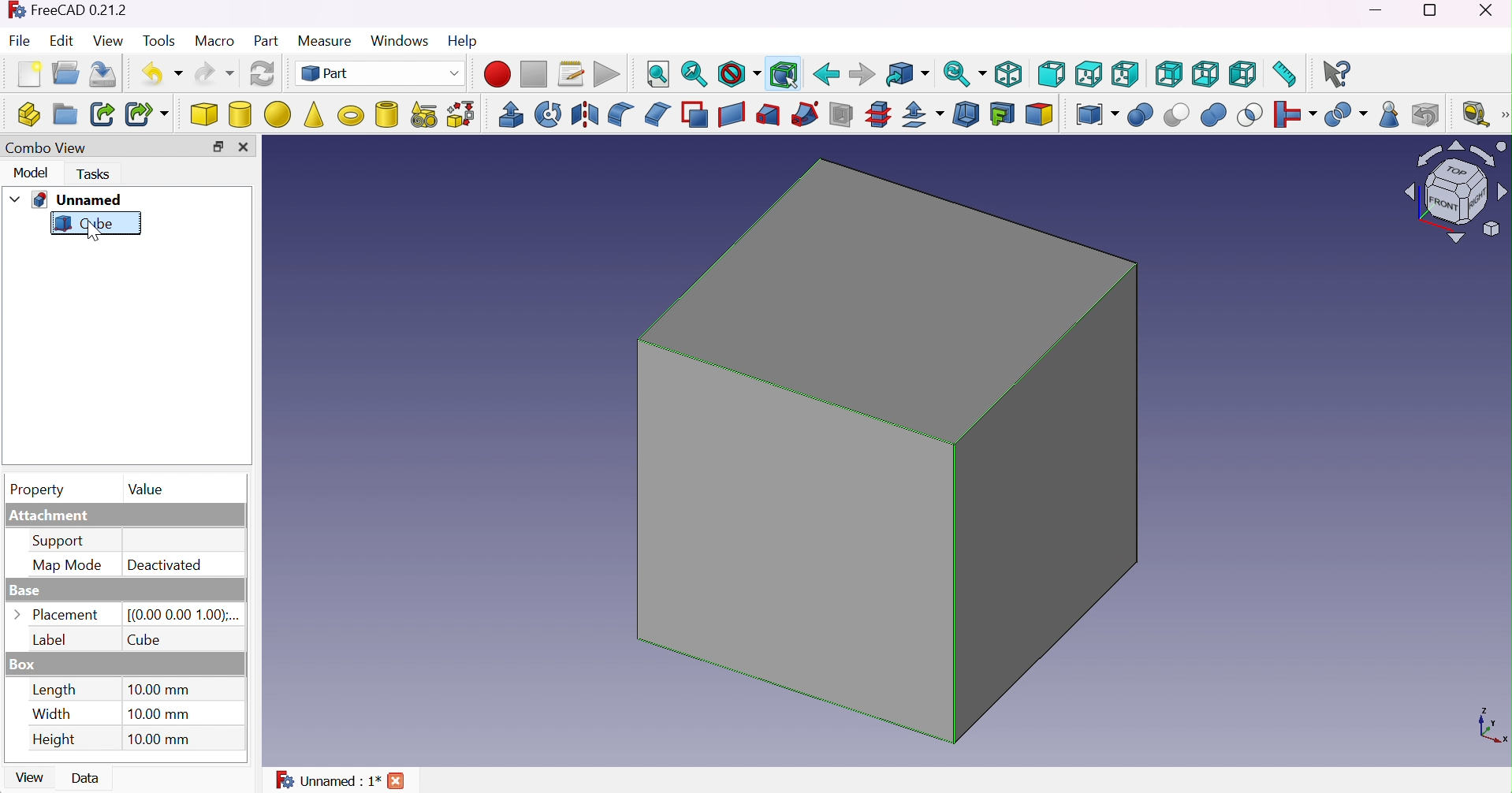 Image resolution: width=1512 pixels, height=793 pixels. I want to click on Viewing angle, so click(1455, 193).